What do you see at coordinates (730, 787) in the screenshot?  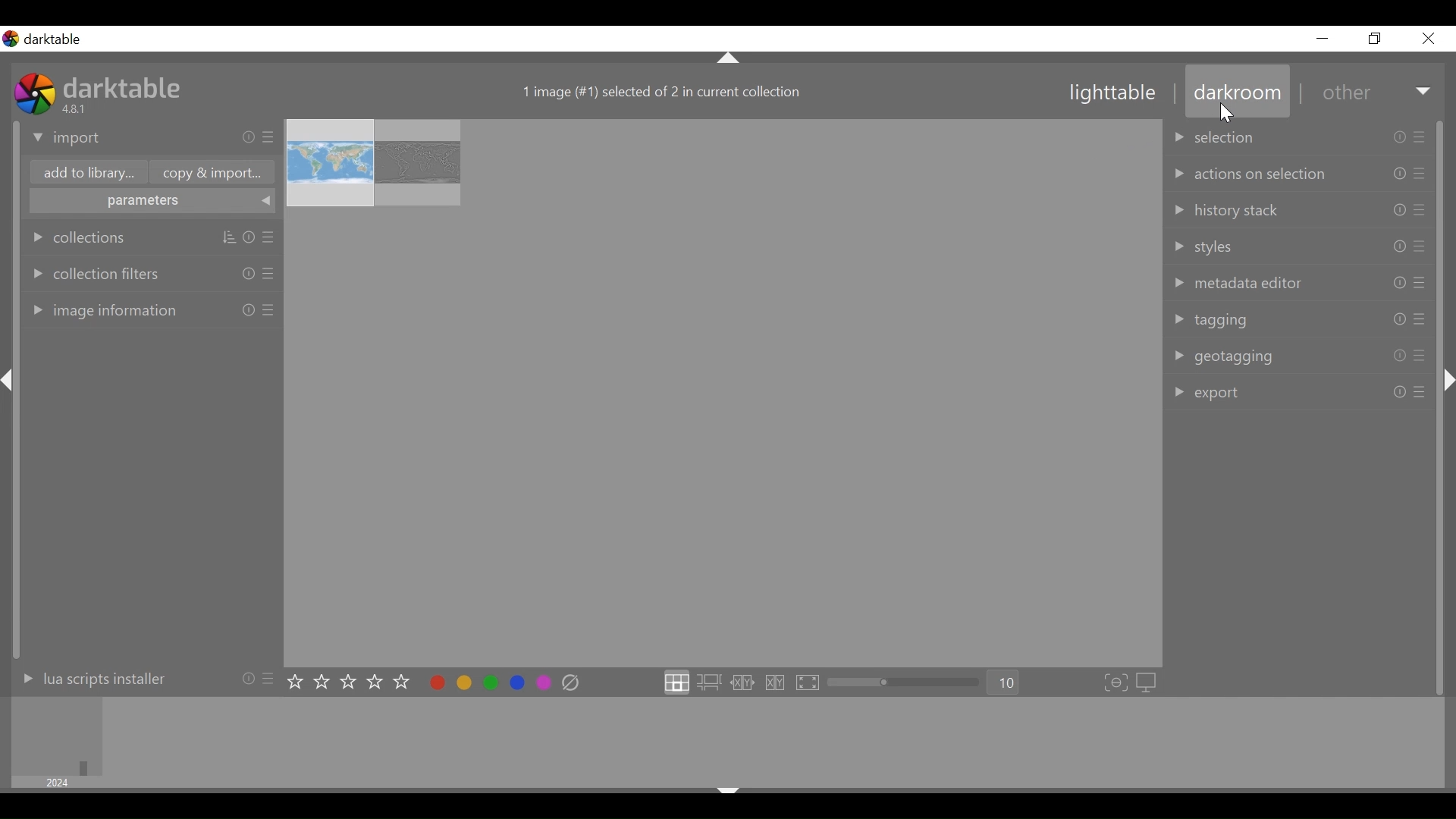 I see `Collapse ` at bounding box center [730, 787].